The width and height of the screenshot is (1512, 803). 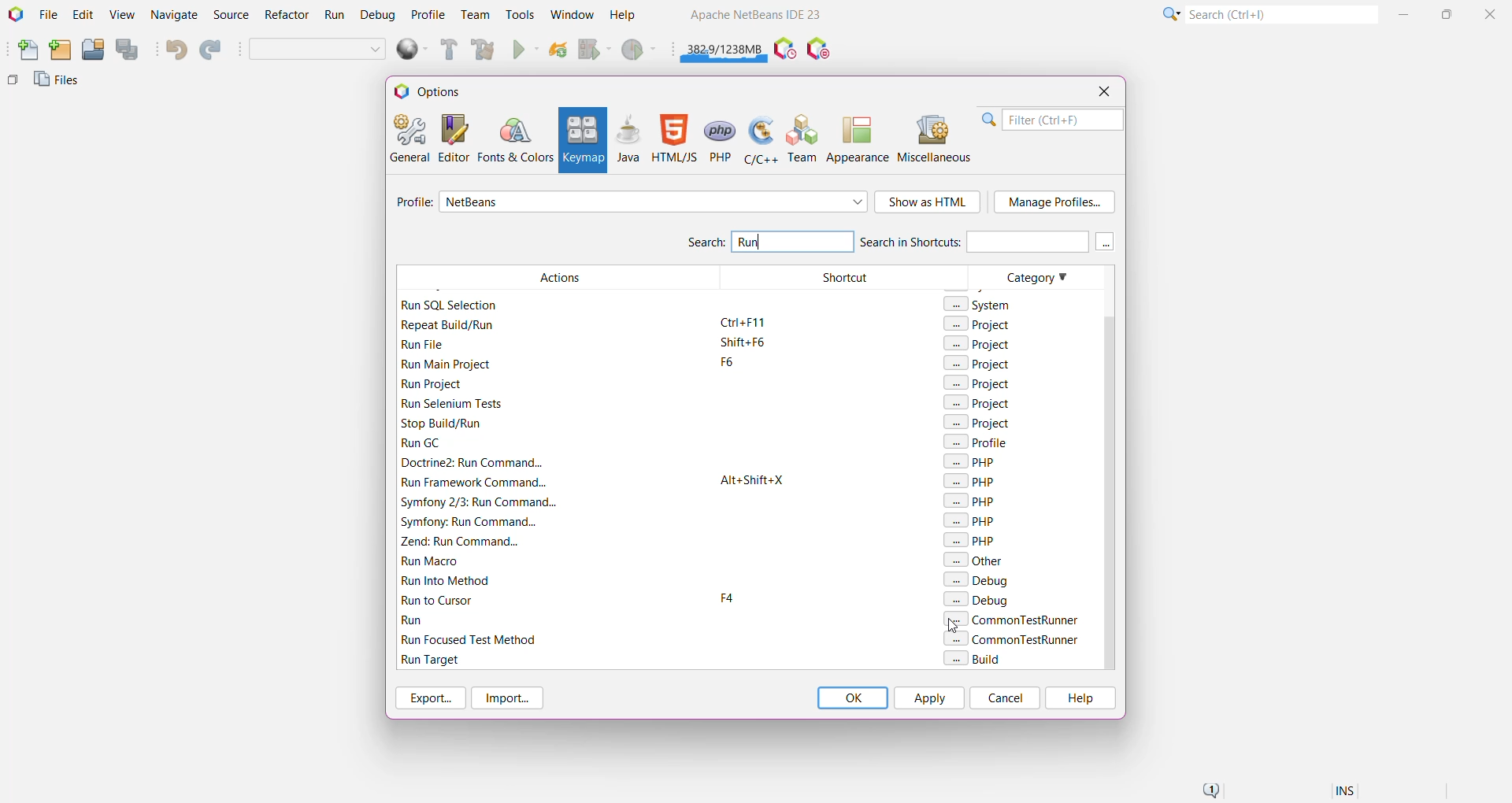 I want to click on Pause I/O Checks, so click(x=820, y=50).